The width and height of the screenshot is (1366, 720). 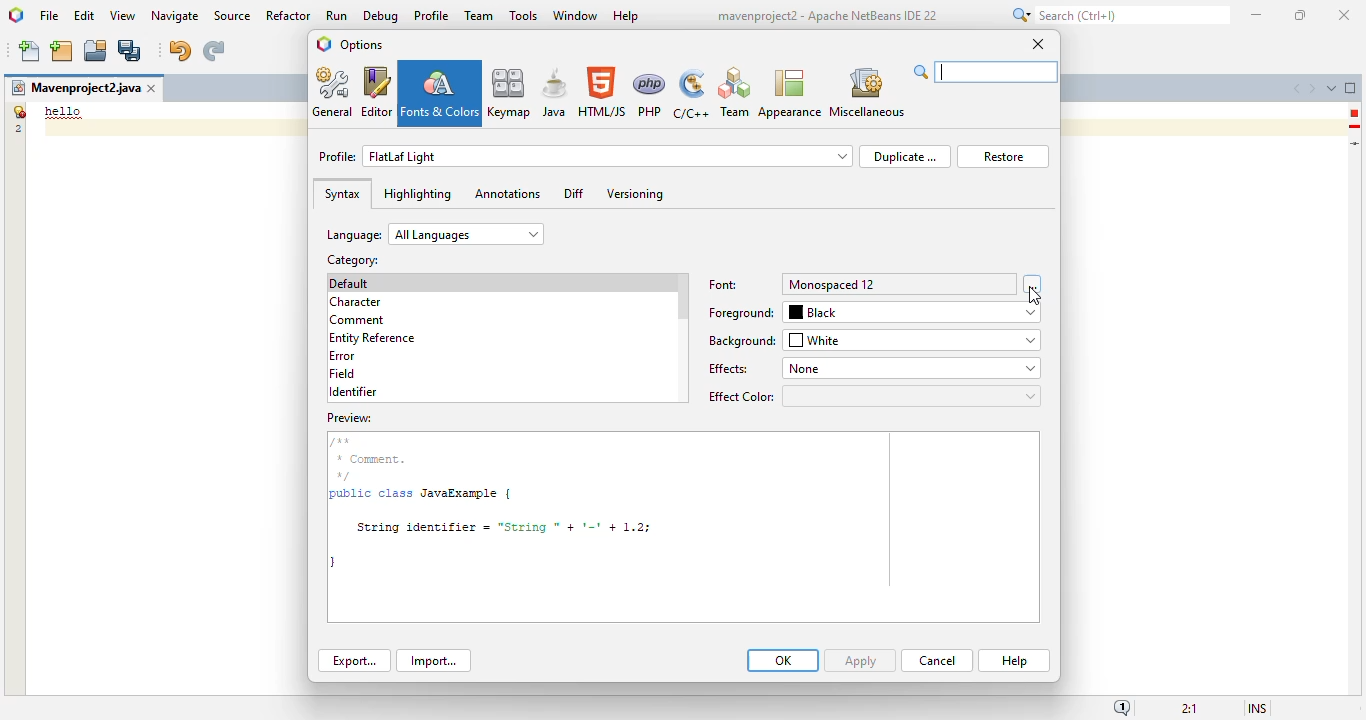 What do you see at coordinates (681, 516) in the screenshot?
I see `/**  * Comment,  */ public class JavaExample {              String identifier - "string" + + '-' + 1.2;  }` at bounding box center [681, 516].